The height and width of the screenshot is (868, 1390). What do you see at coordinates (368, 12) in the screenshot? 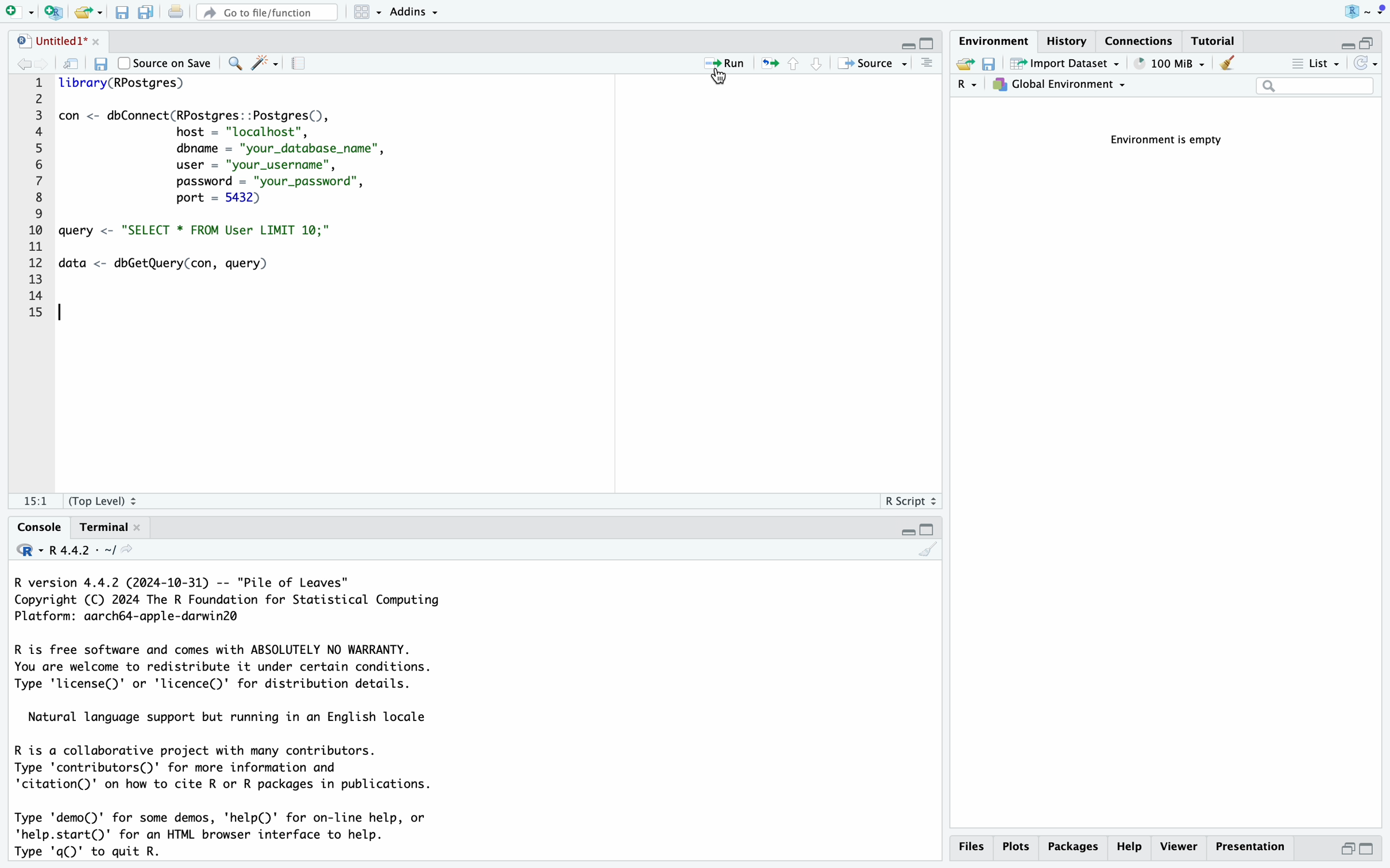
I see `workspace panes` at bounding box center [368, 12].